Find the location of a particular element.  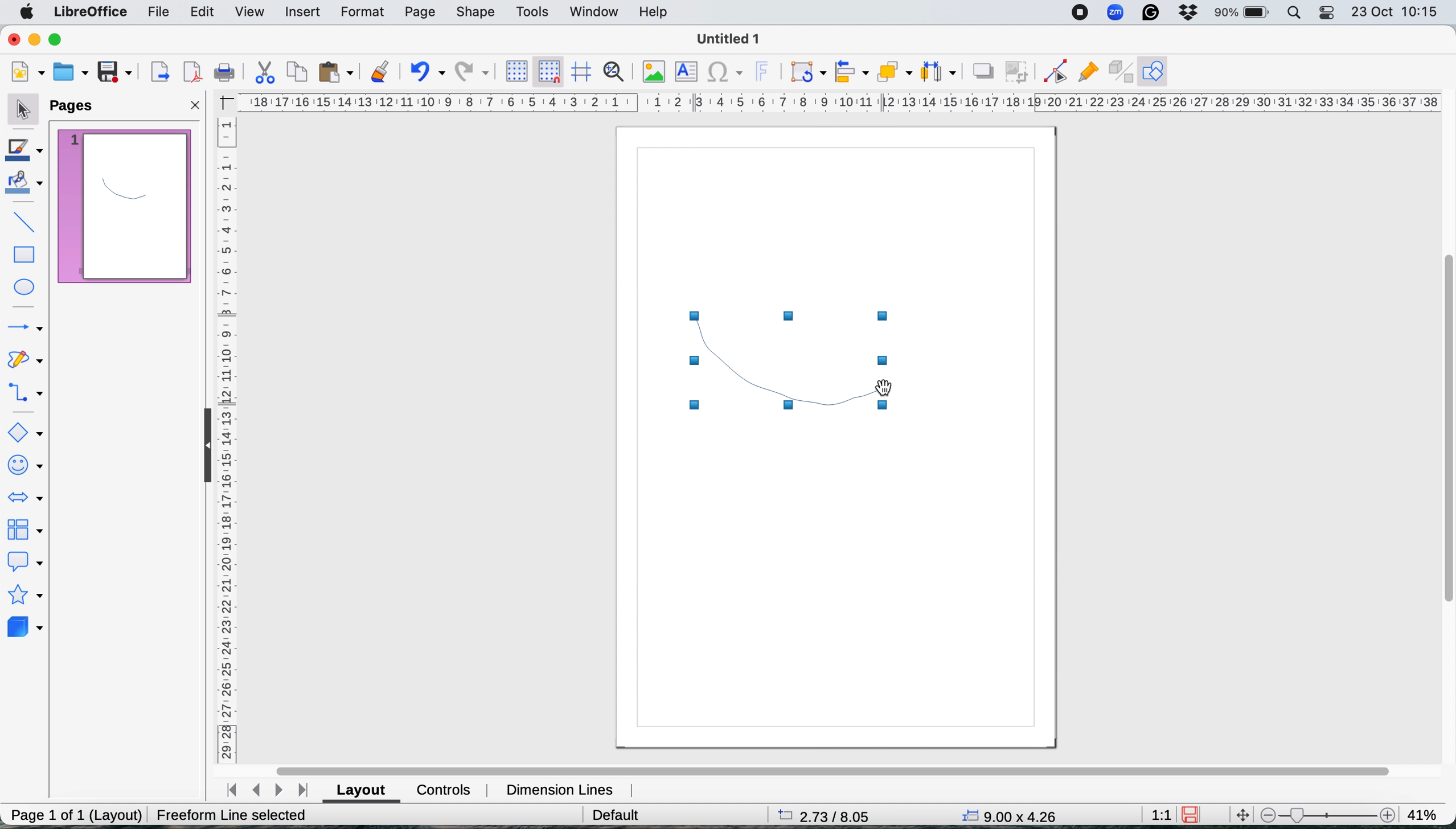

controls is located at coordinates (444, 791).